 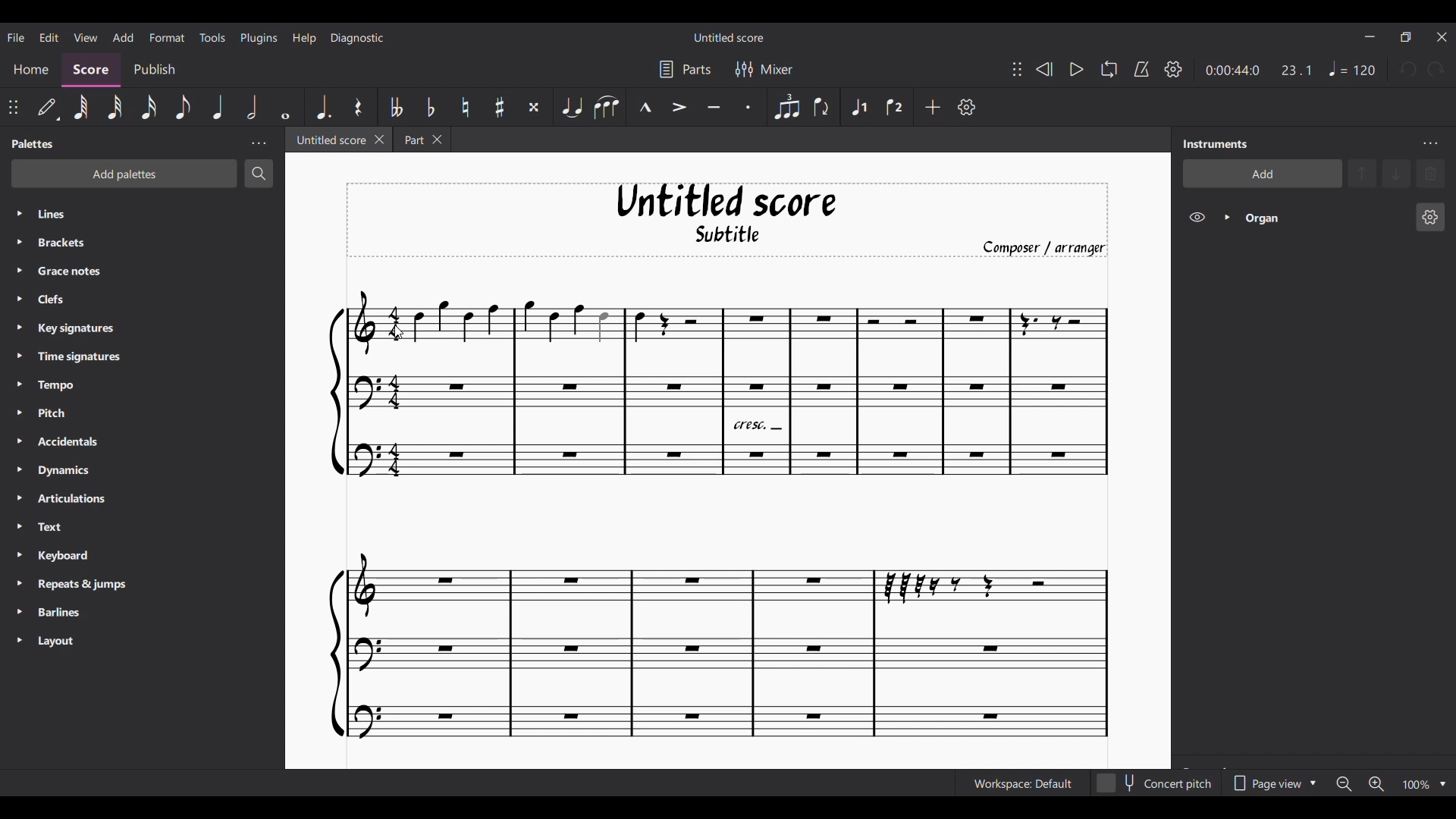 I want to click on Close current tab, so click(x=379, y=140).